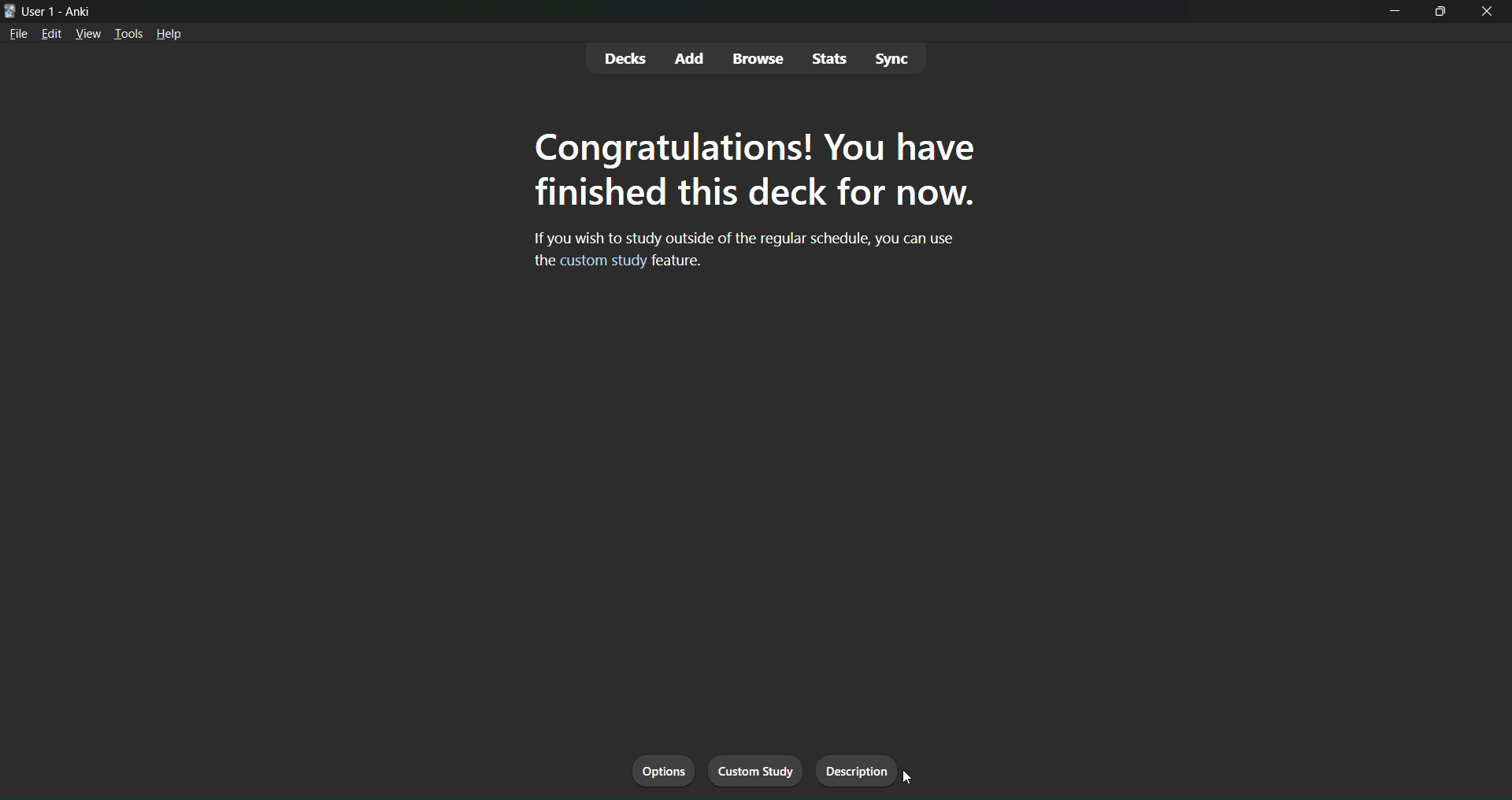 This screenshot has width=1512, height=800. Describe the element at coordinates (540, 261) in the screenshot. I see `the` at that location.